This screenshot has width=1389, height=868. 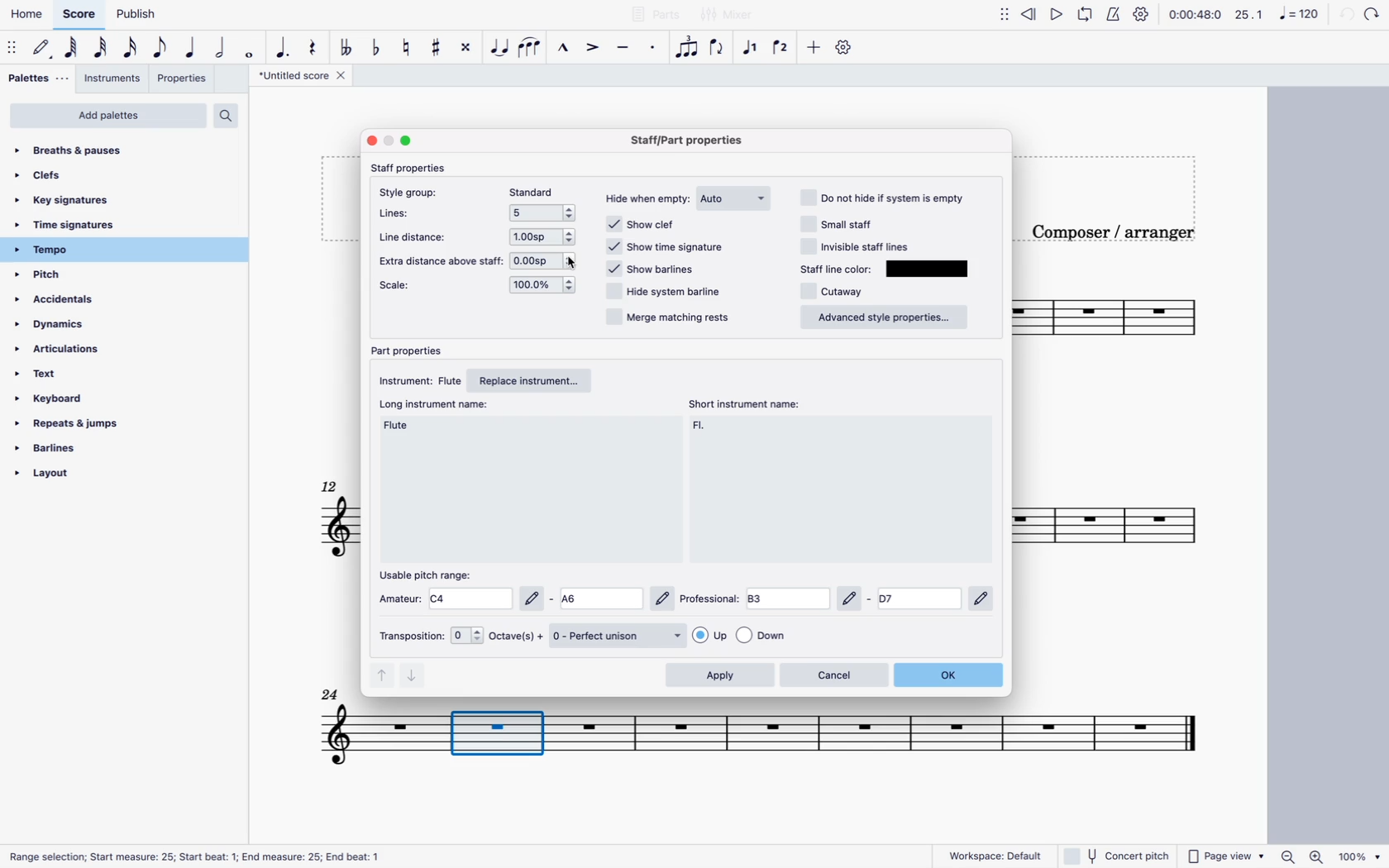 What do you see at coordinates (193, 856) in the screenshot?
I see `Range selection; Start measure: 25; Start beat: 1; End measure: 25; End beat: 1` at bounding box center [193, 856].